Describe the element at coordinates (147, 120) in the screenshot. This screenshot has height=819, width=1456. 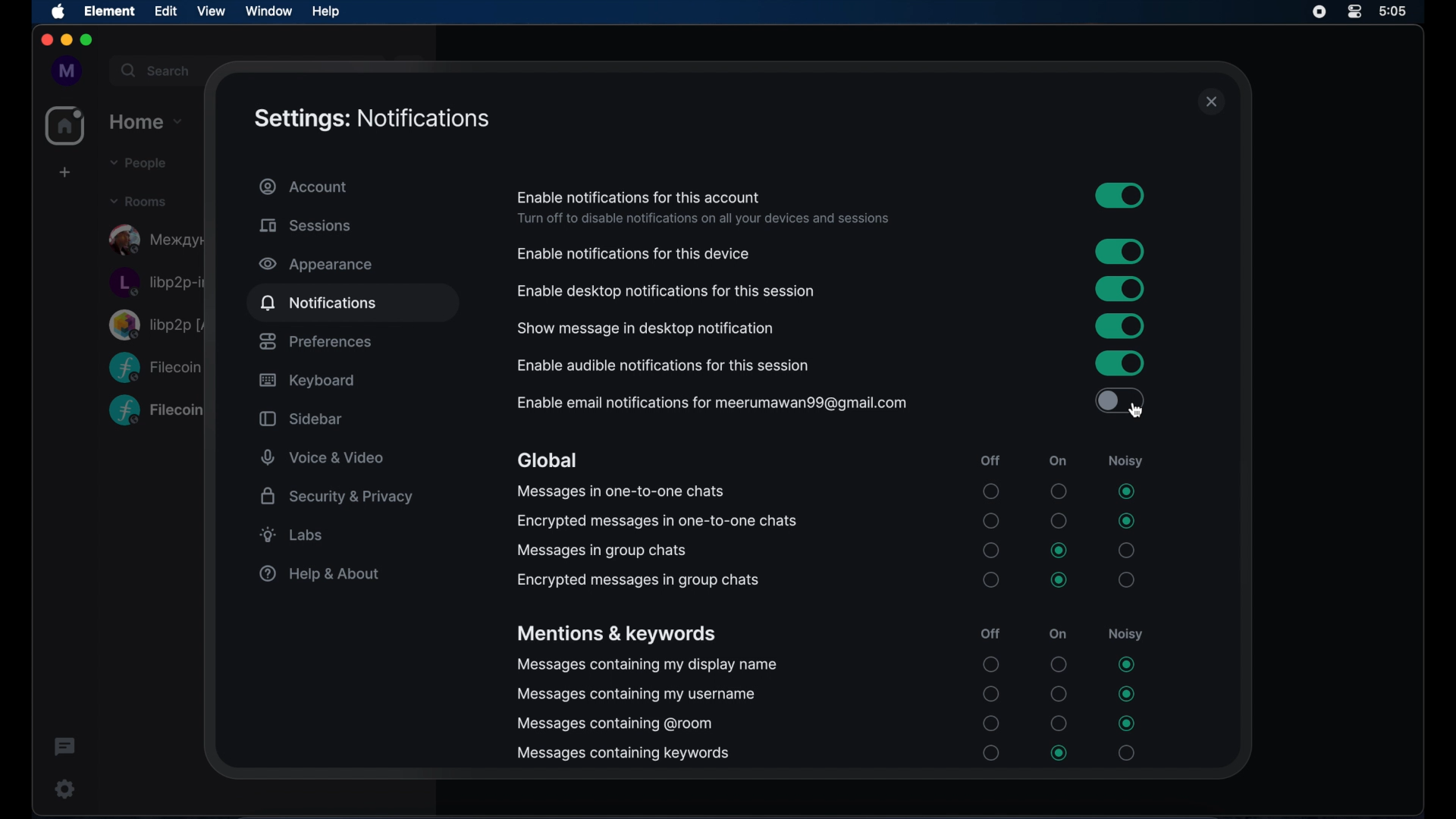
I see `home` at that location.